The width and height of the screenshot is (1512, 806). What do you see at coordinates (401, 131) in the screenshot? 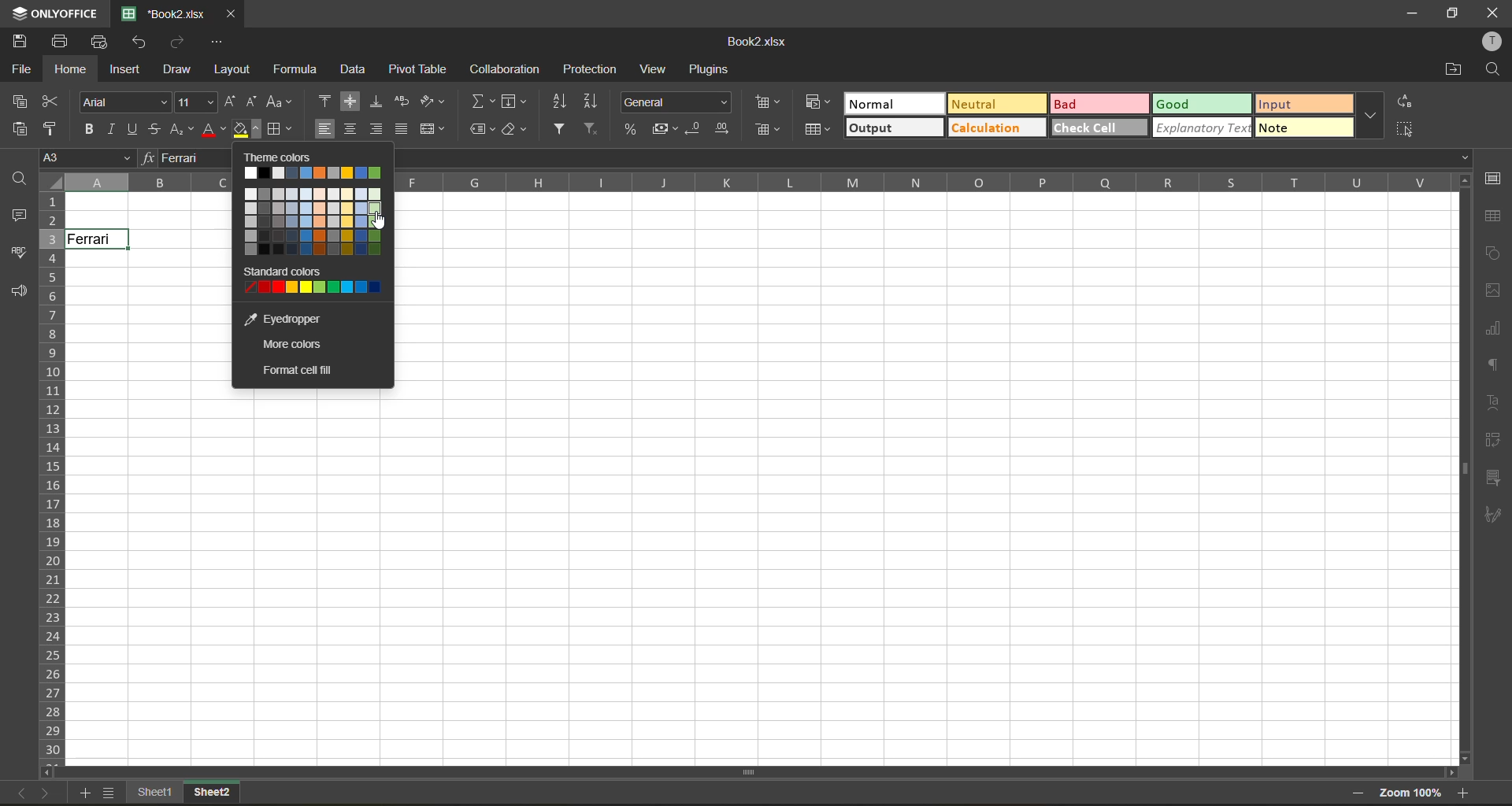
I see `justified` at bounding box center [401, 131].